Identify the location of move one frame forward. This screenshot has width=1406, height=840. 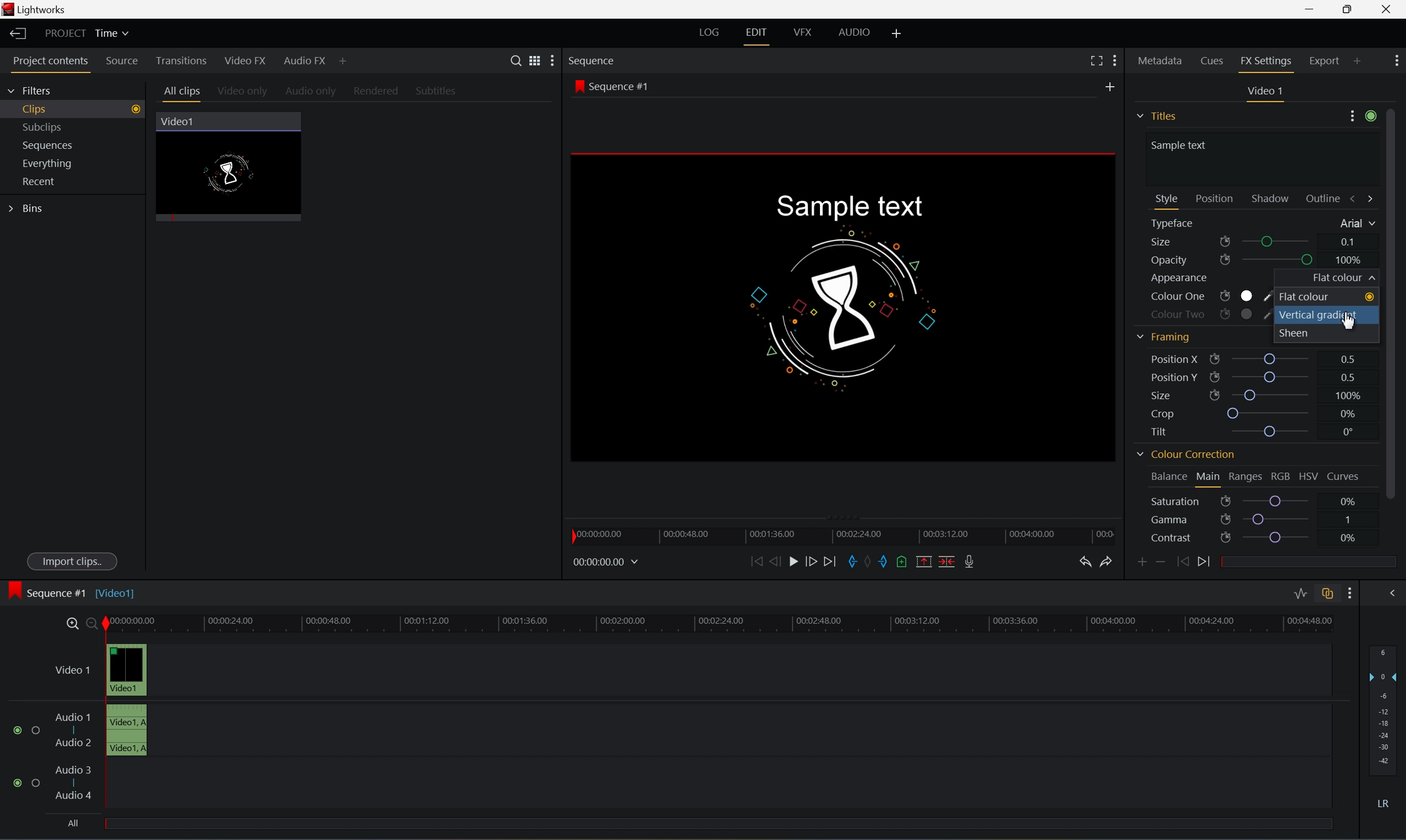
(816, 562).